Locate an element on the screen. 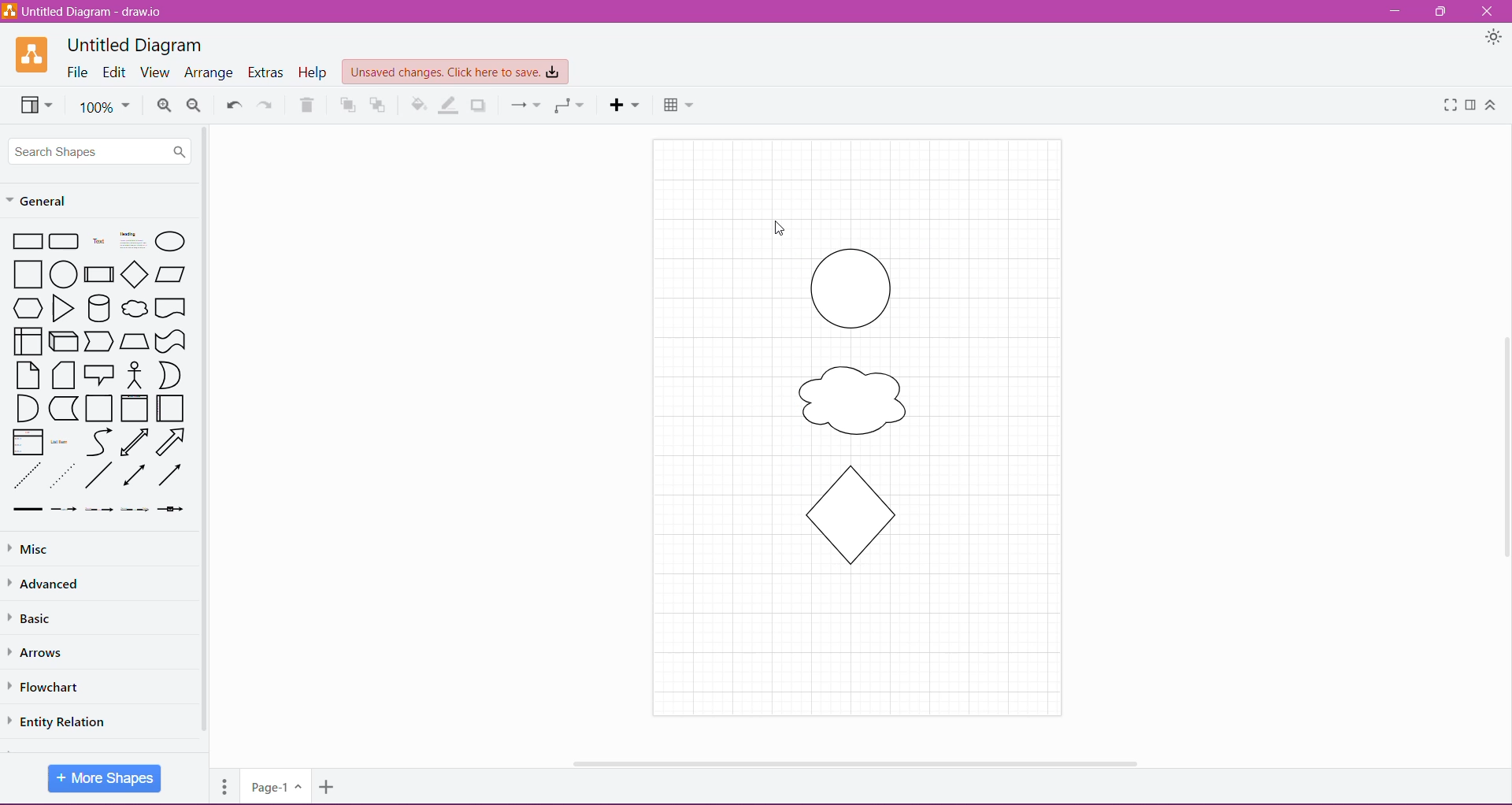 This screenshot has height=805, width=1512. Help is located at coordinates (314, 72).